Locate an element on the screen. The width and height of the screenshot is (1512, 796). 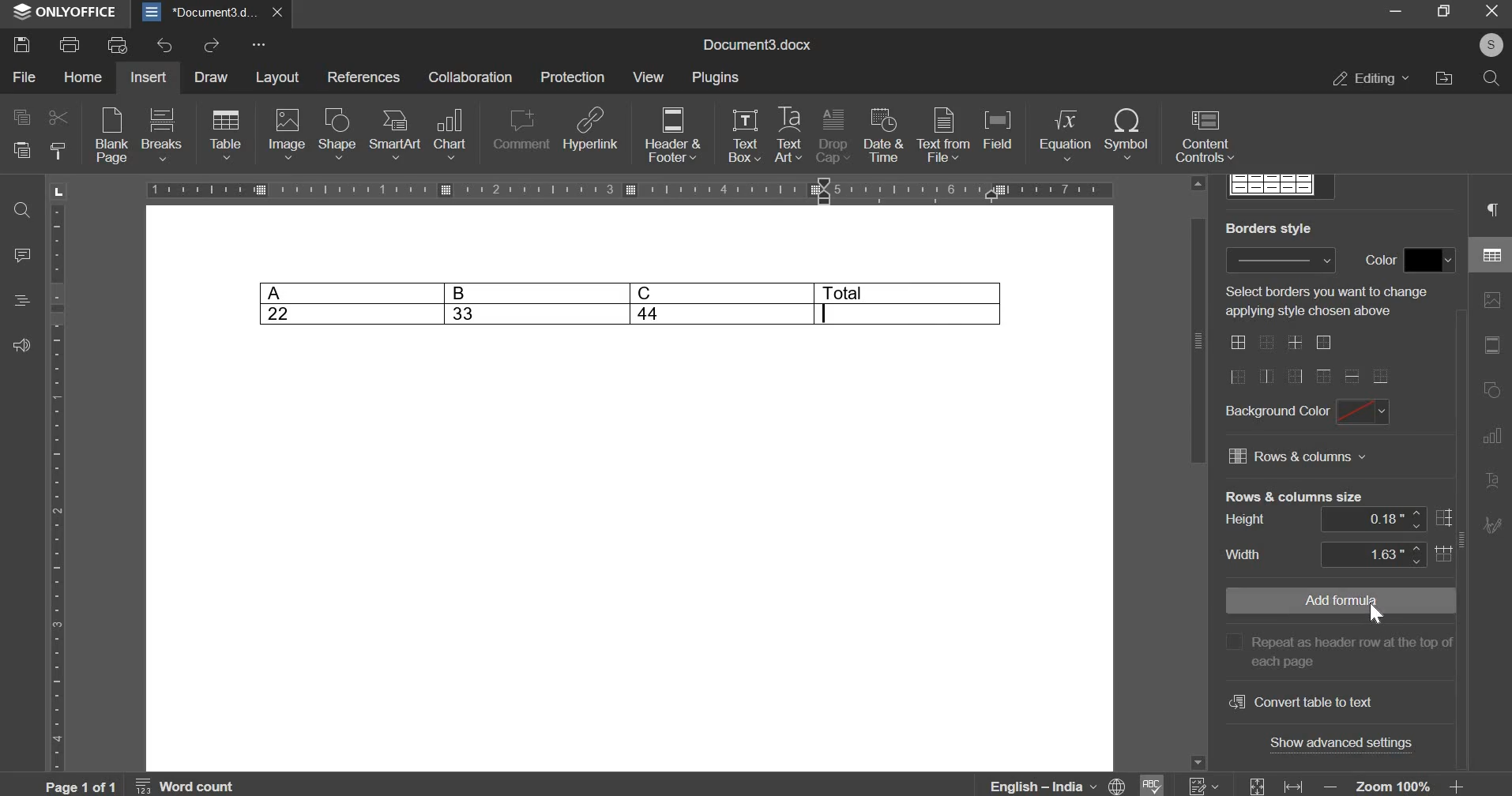
convert table to text is located at coordinates (1299, 700).